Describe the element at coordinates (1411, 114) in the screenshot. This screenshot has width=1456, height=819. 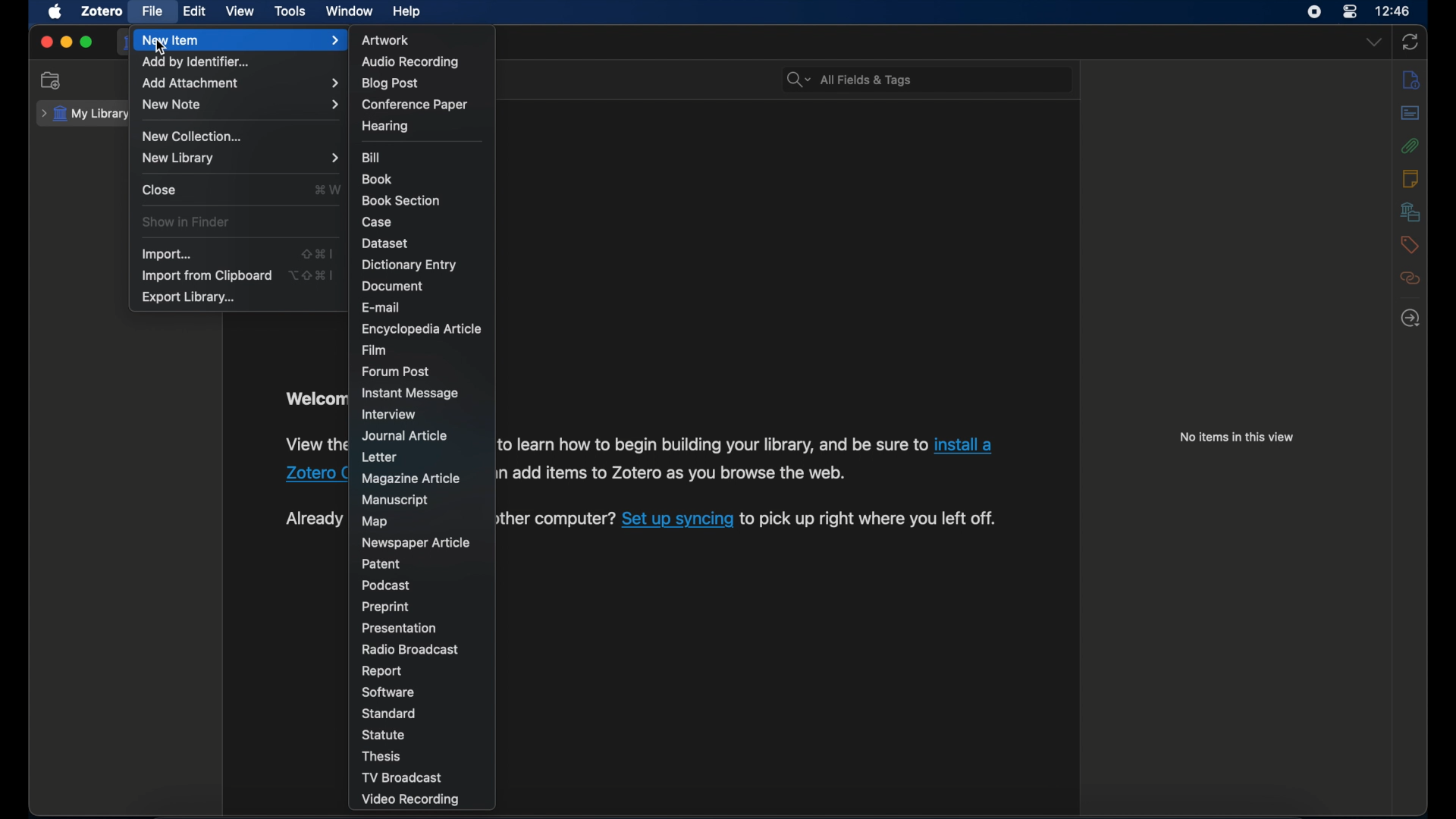
I see `abstract` at that location.